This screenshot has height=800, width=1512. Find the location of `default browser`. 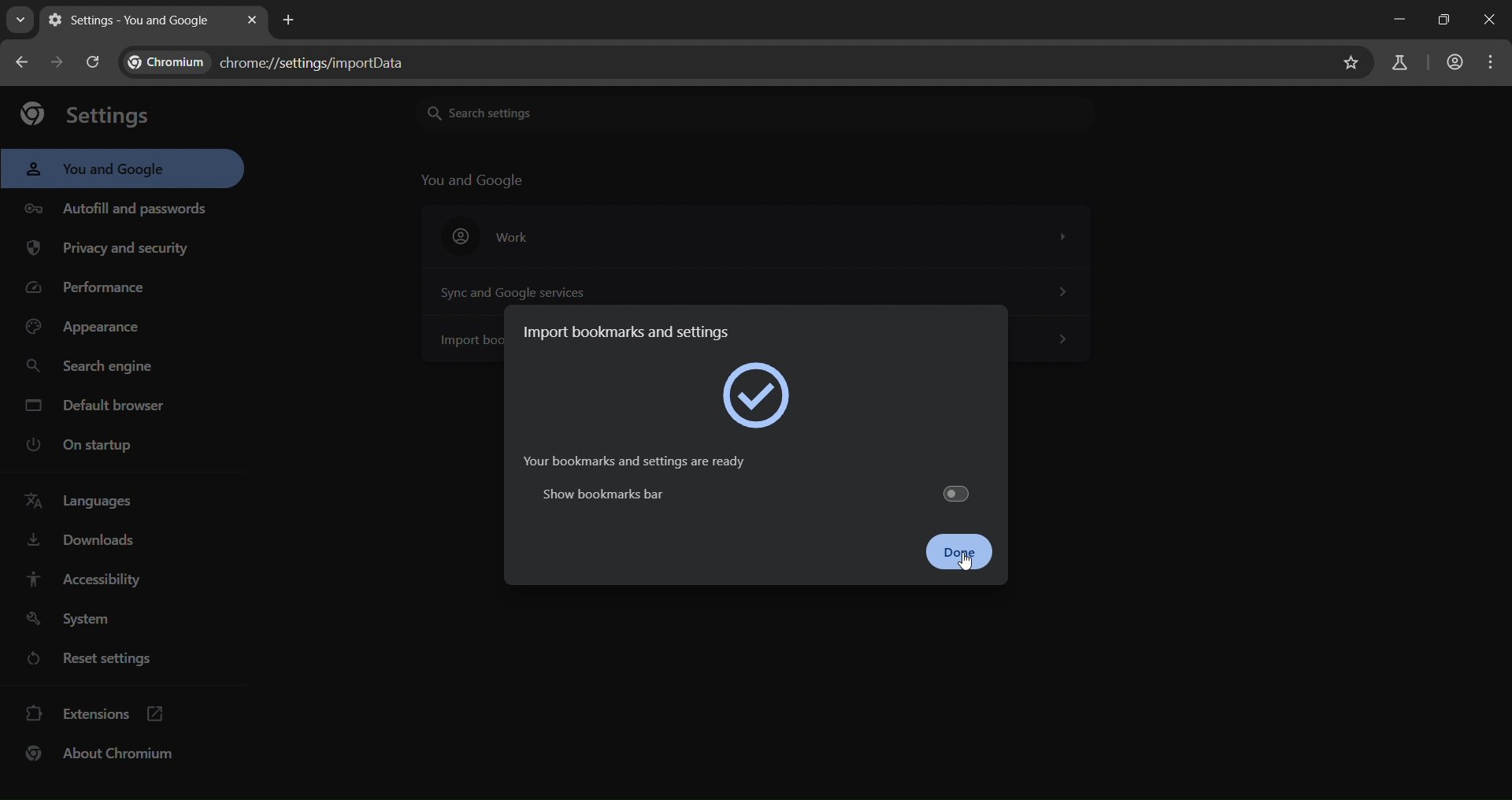

default browser is located at coordinates (102, 405).